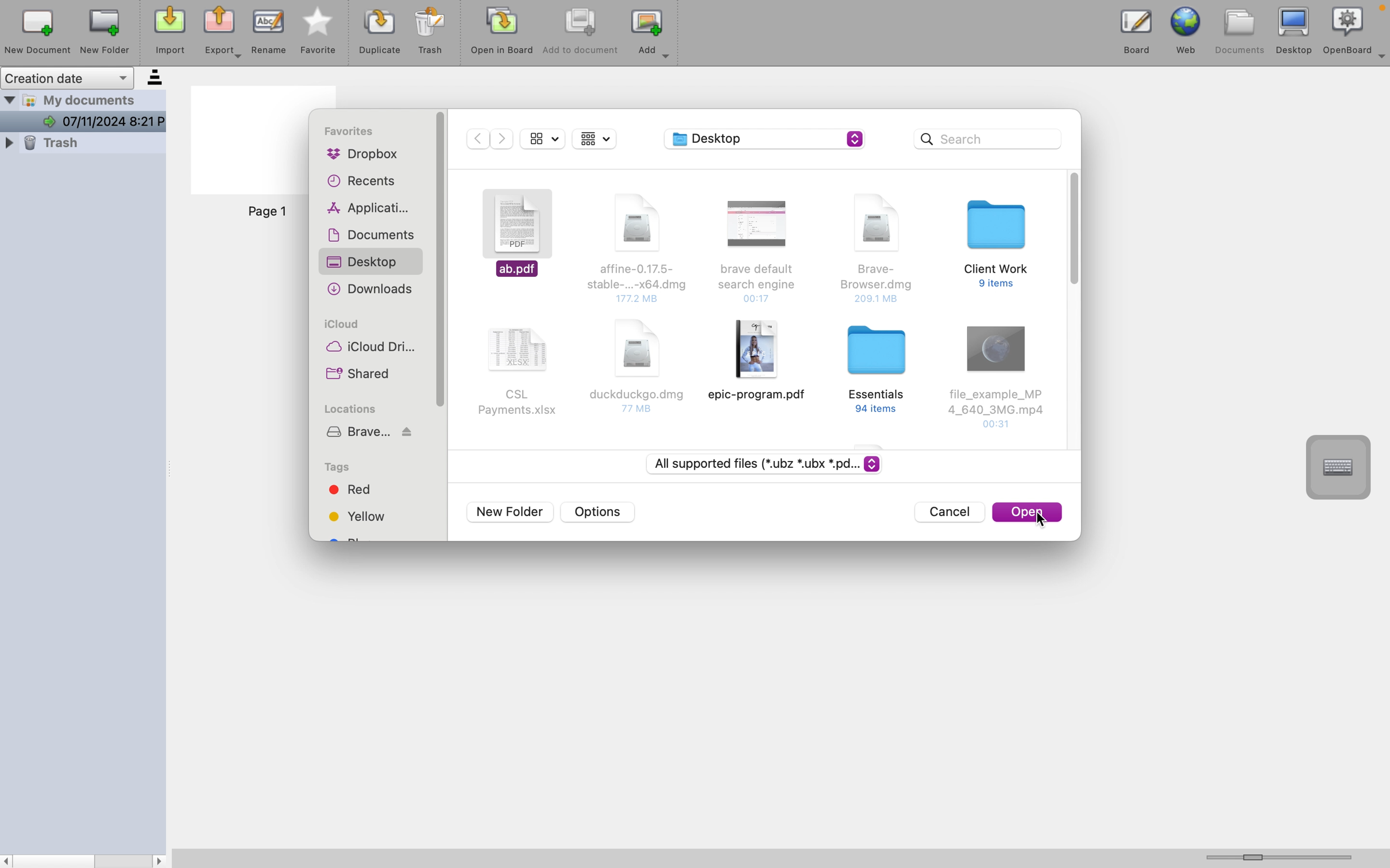  Describe the element at coordinates (364, 375) in the screenshot. I see `shared` at that location.